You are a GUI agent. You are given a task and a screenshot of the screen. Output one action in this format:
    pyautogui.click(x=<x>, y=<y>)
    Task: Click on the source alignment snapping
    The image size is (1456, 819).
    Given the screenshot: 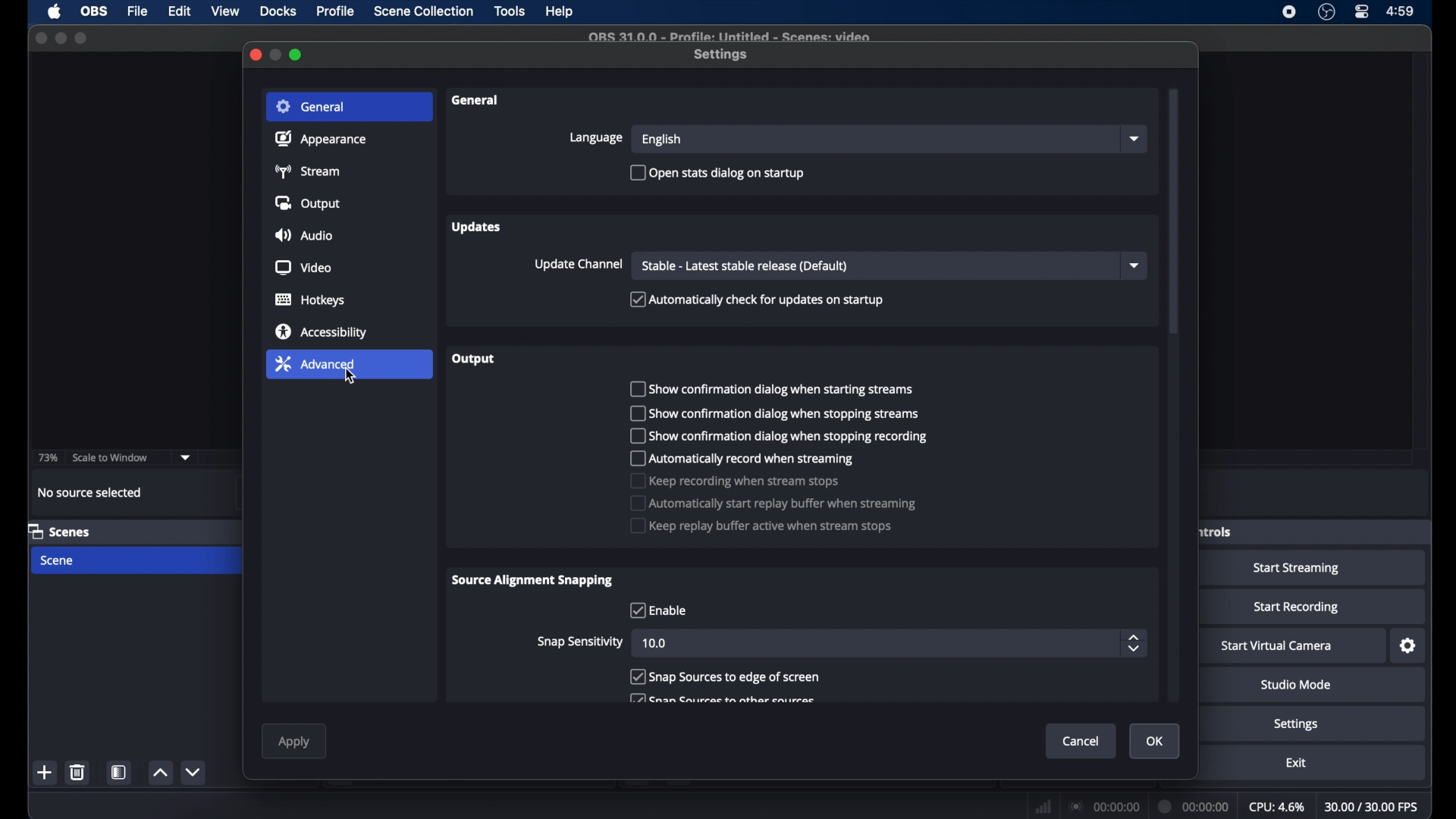 What is the action you would take?
    pyautogui.click(x=535, y=579)
    